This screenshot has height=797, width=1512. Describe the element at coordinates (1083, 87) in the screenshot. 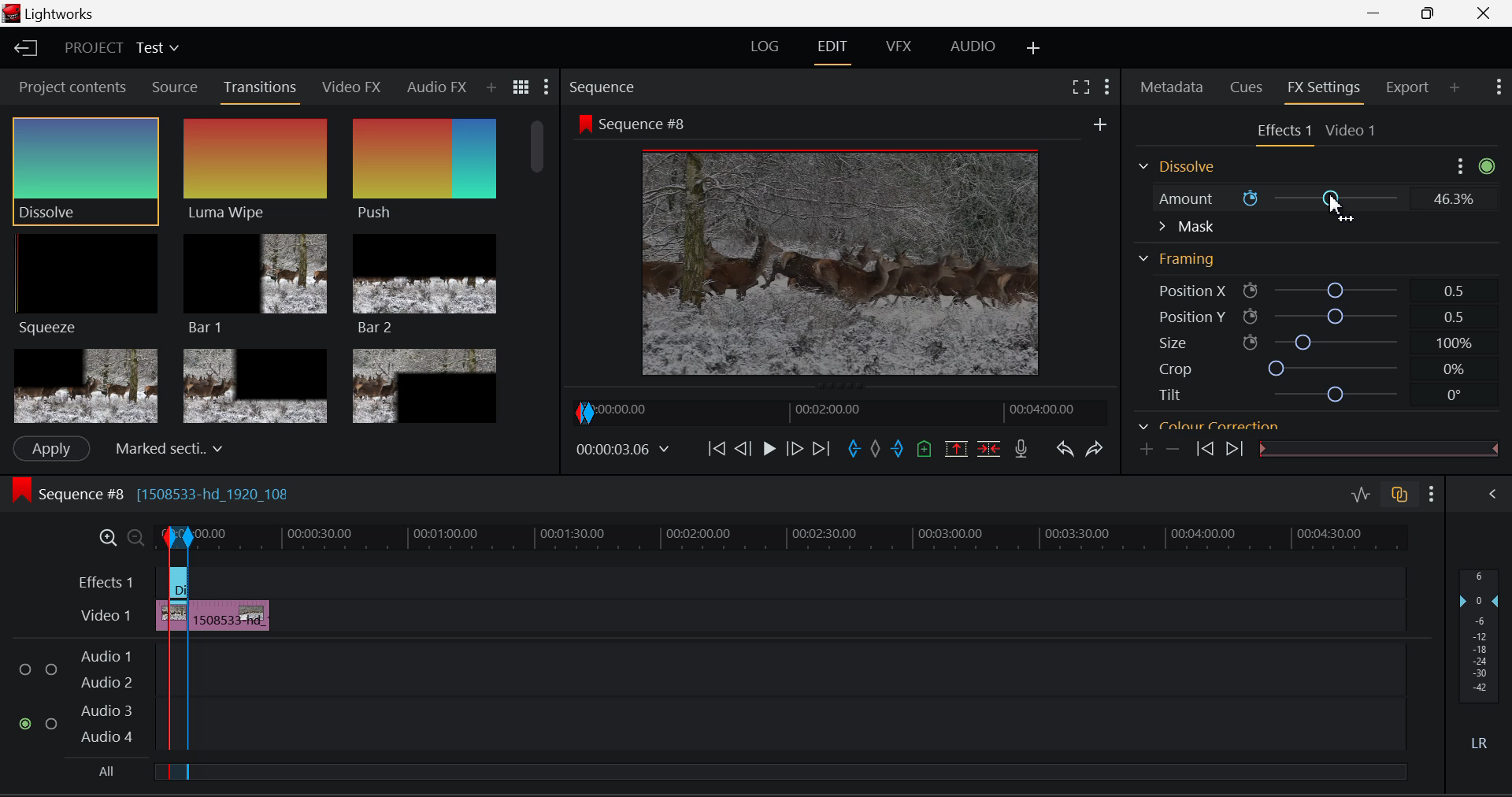

I see `Full Screen` at that location.